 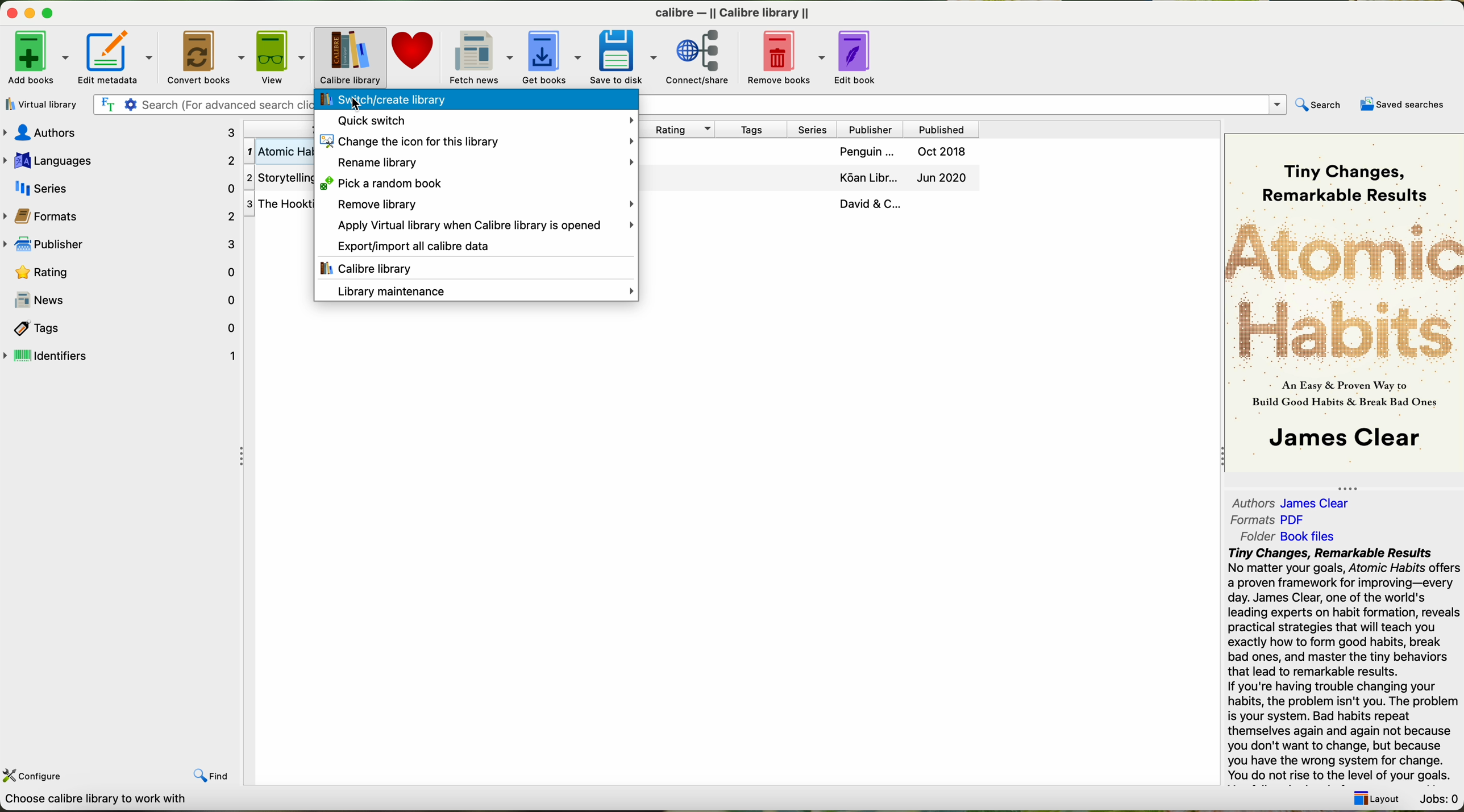 I want to click on edit metadata, so click(x=120, y=57).